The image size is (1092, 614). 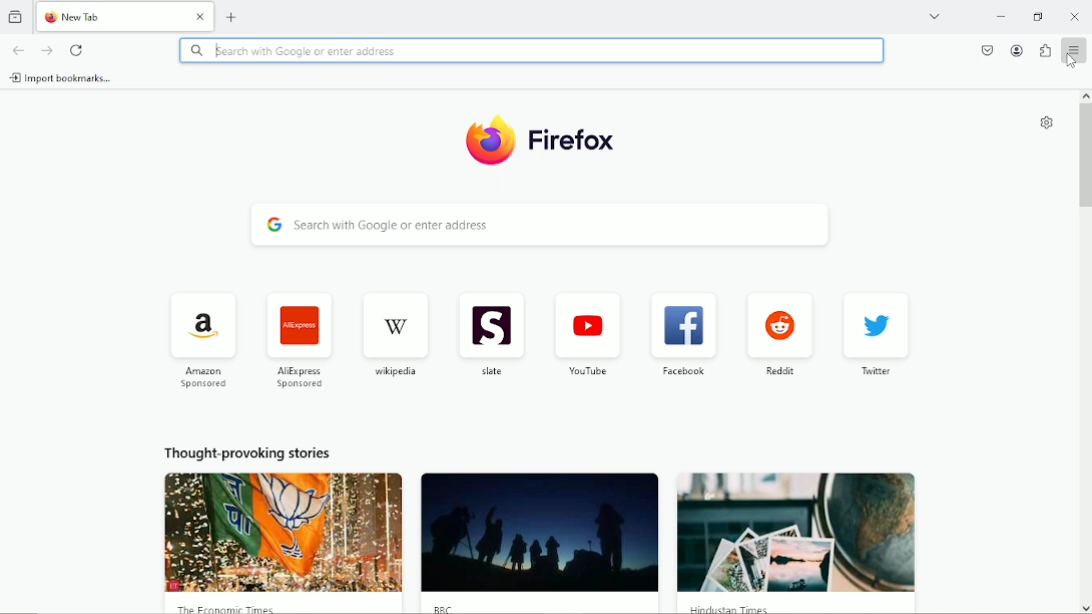 I want to click on facebook, so click(x=681, y=334).